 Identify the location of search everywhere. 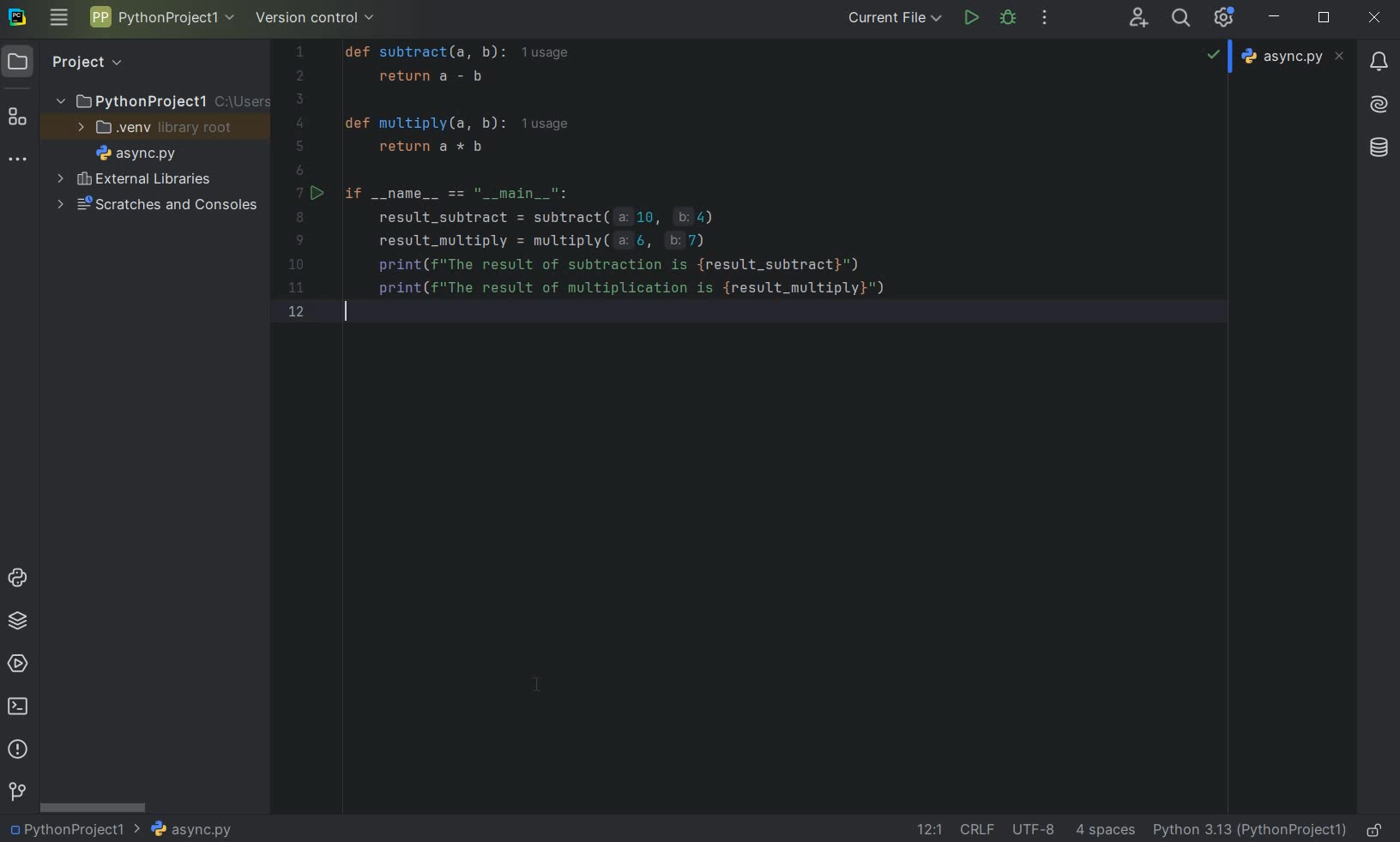
(1181, 19).